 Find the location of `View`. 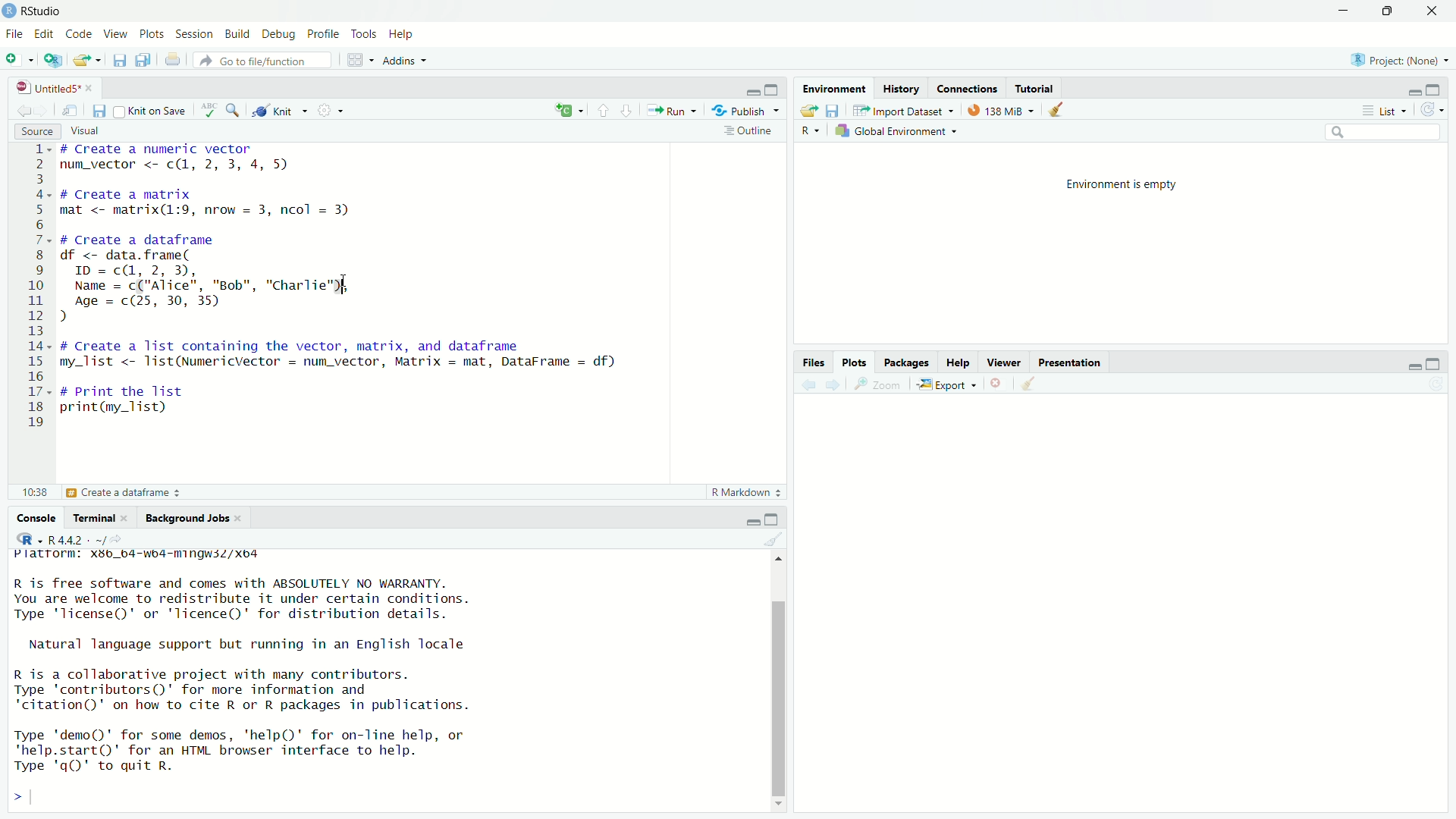

View is located at coordinates (117, 35).